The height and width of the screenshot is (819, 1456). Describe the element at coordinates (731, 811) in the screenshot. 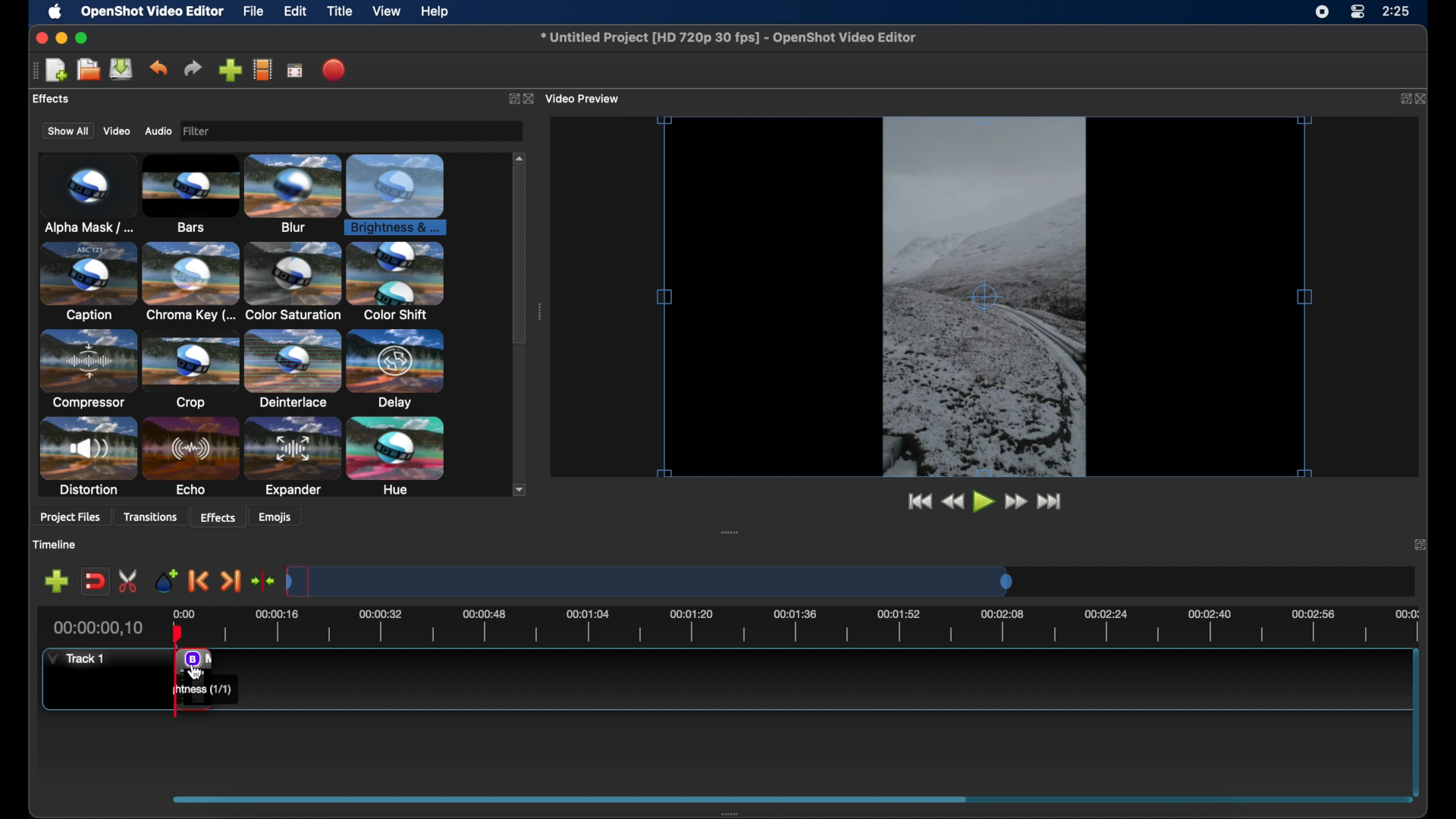

I see `drag handle` at that location.